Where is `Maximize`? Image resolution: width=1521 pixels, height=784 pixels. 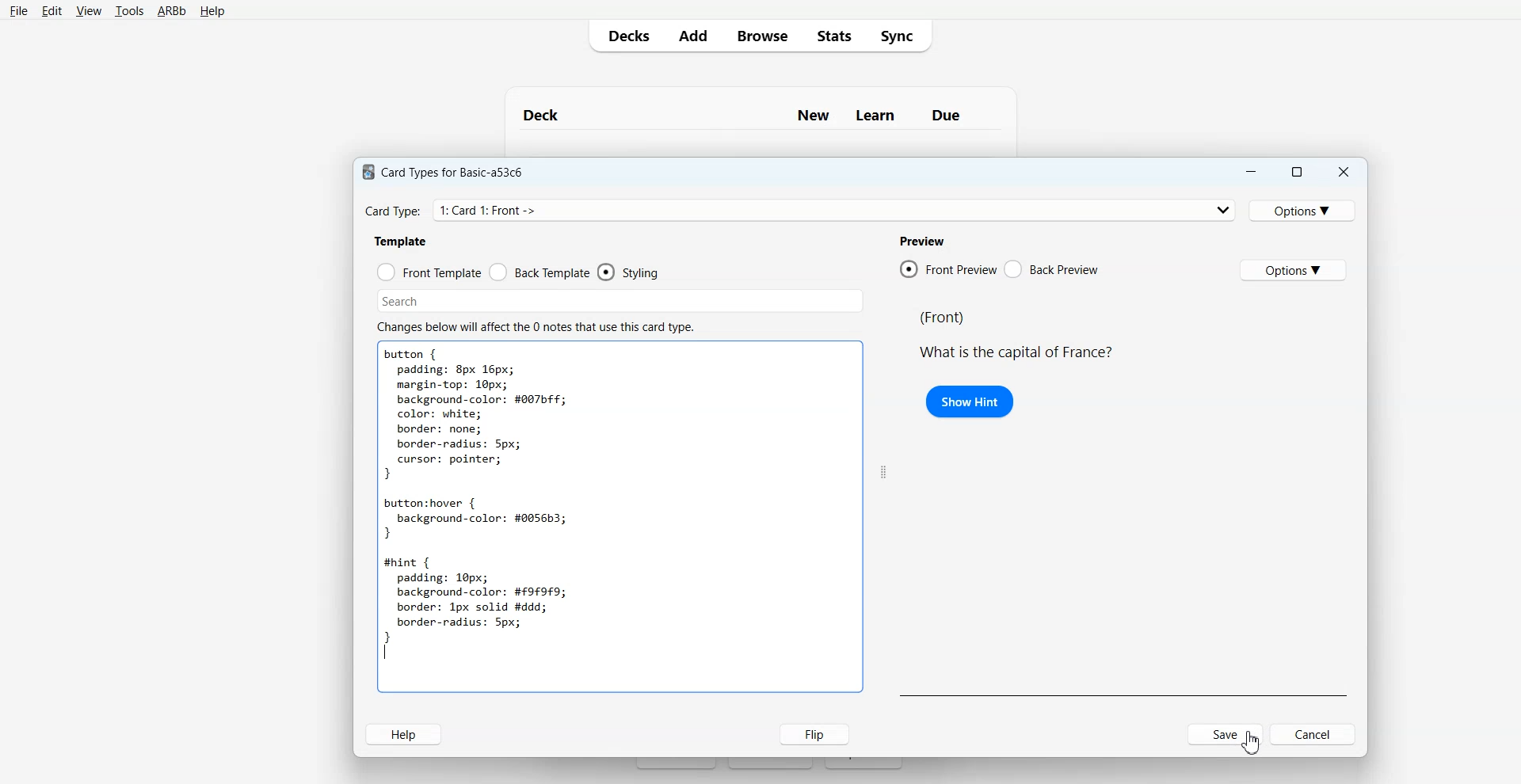 Maximize is located at coordinates (1295, 172).